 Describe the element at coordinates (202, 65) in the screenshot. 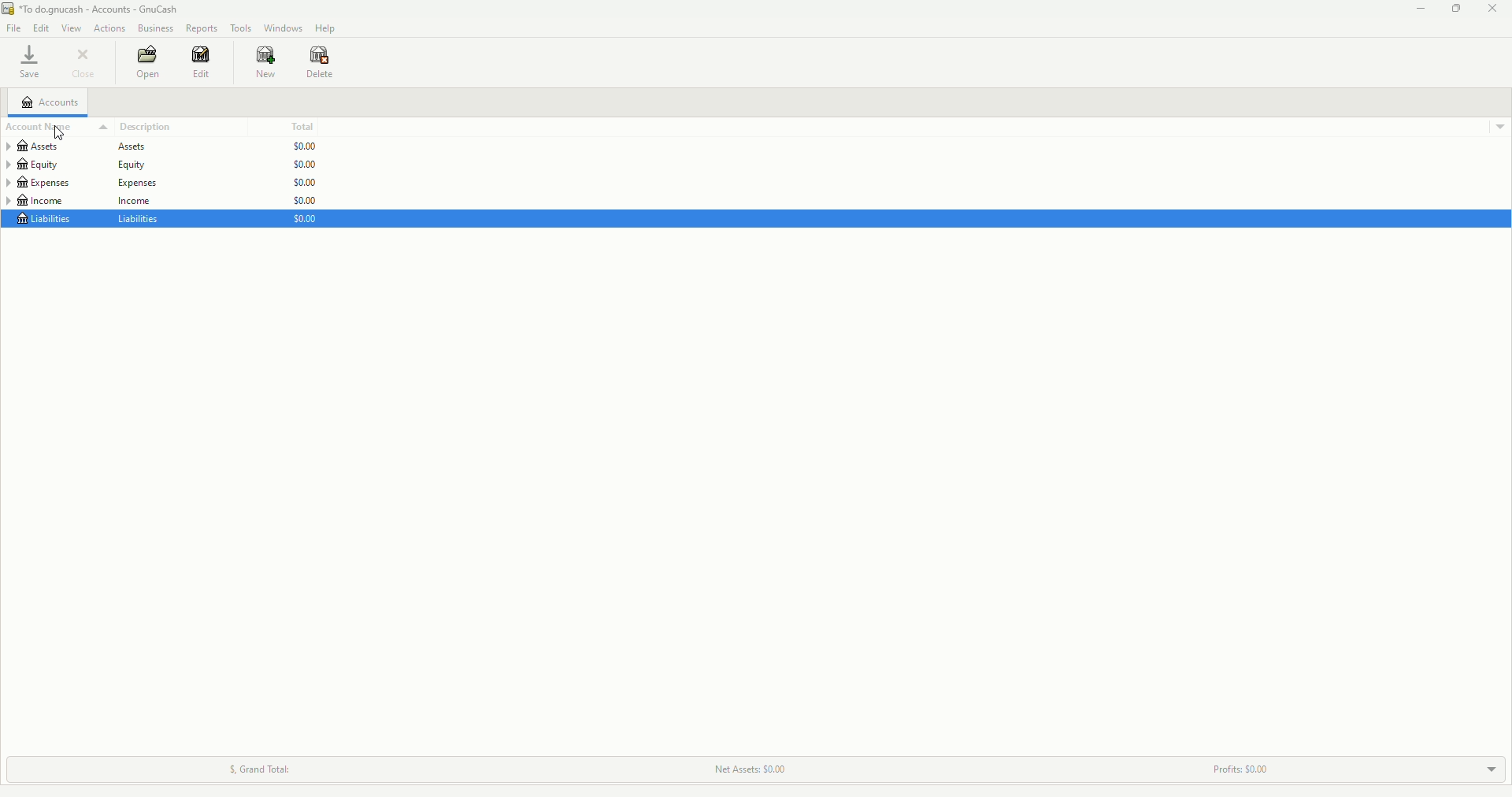

I see `Edit` at that location.